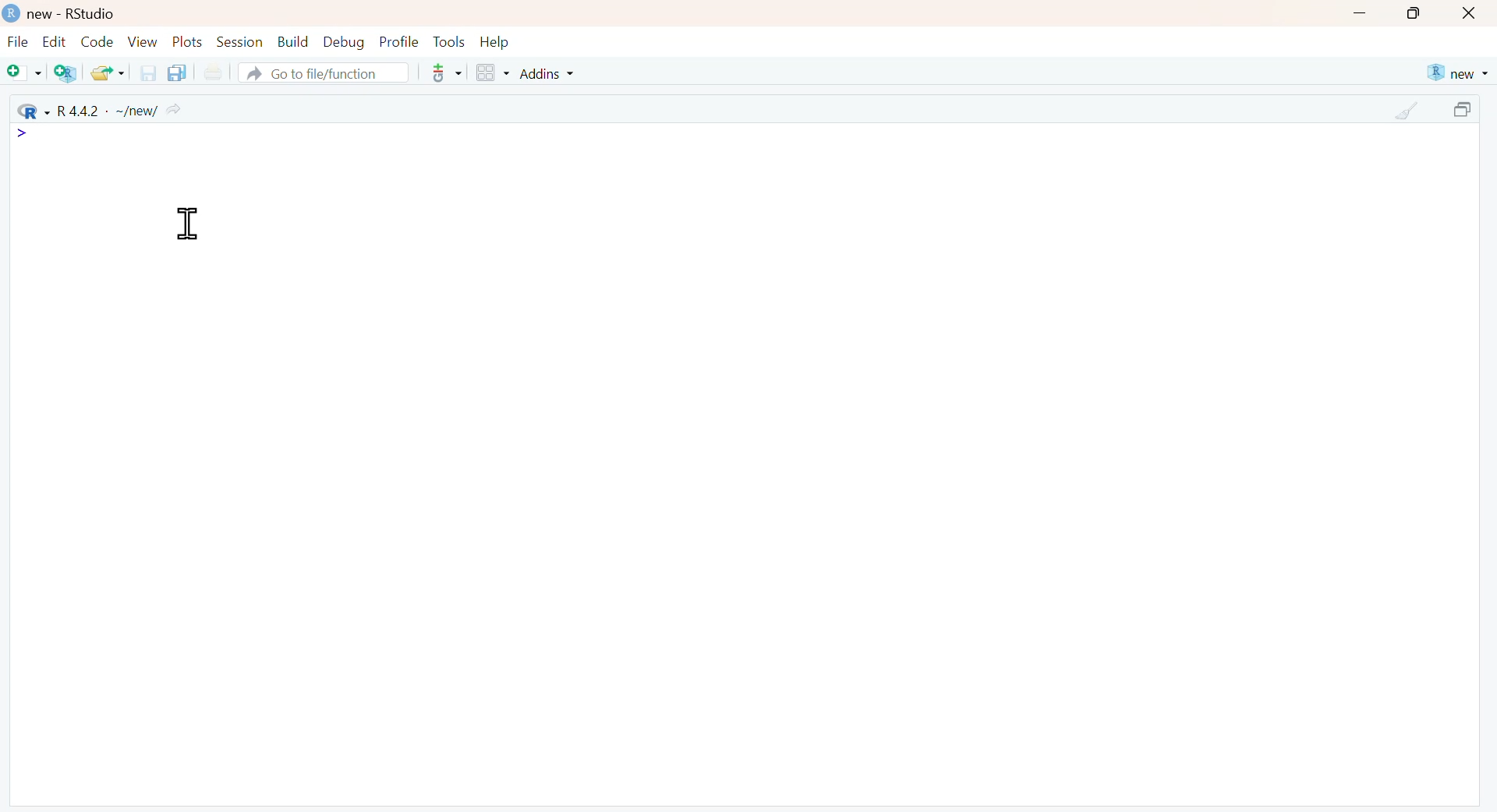 This screenshot has width=1497, height=812. What do you see at coordinates (445, 72) in the screenshot?
I see `more options` at bounding box center [445, 72].